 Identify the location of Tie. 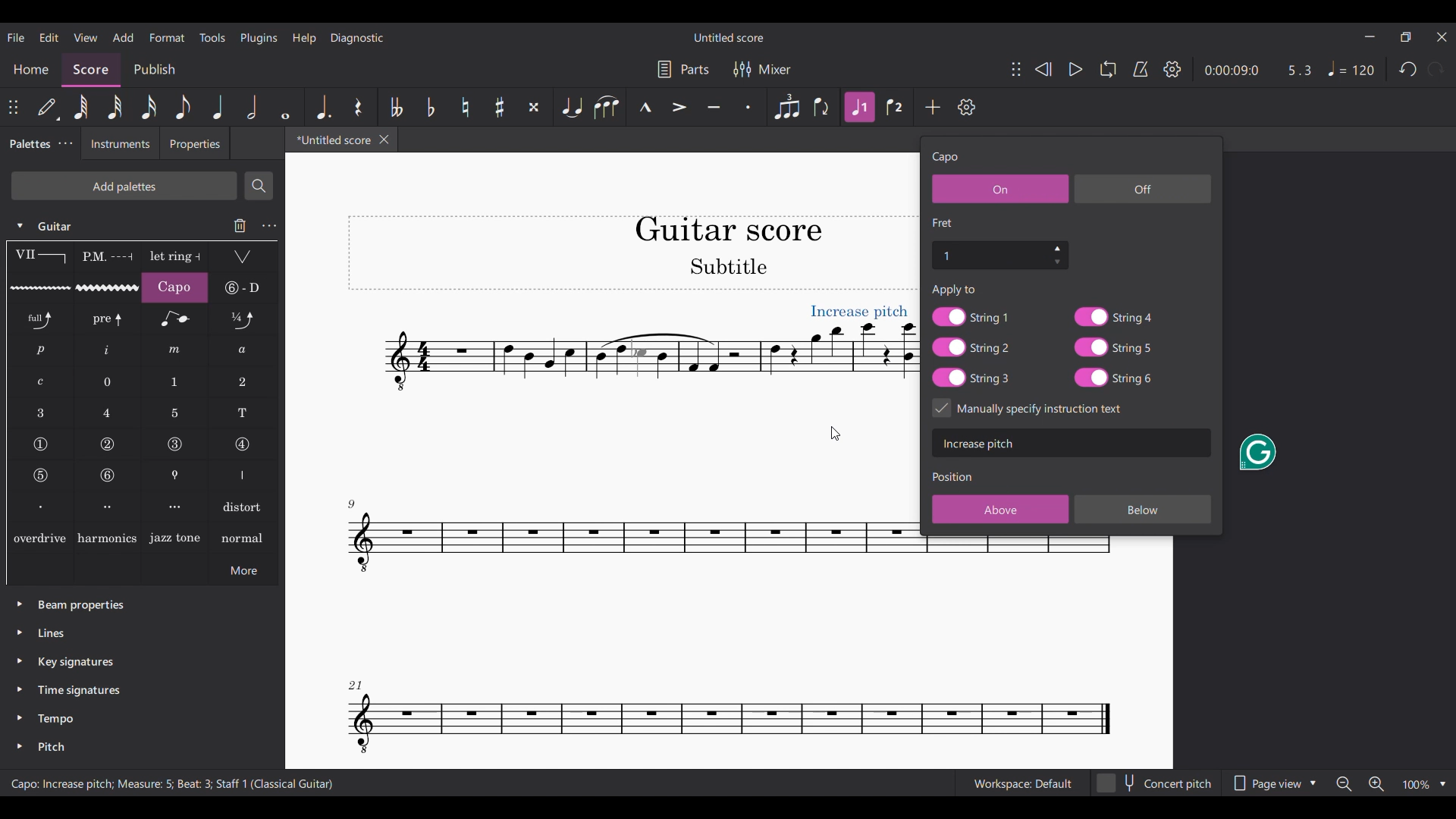
(570, 107).